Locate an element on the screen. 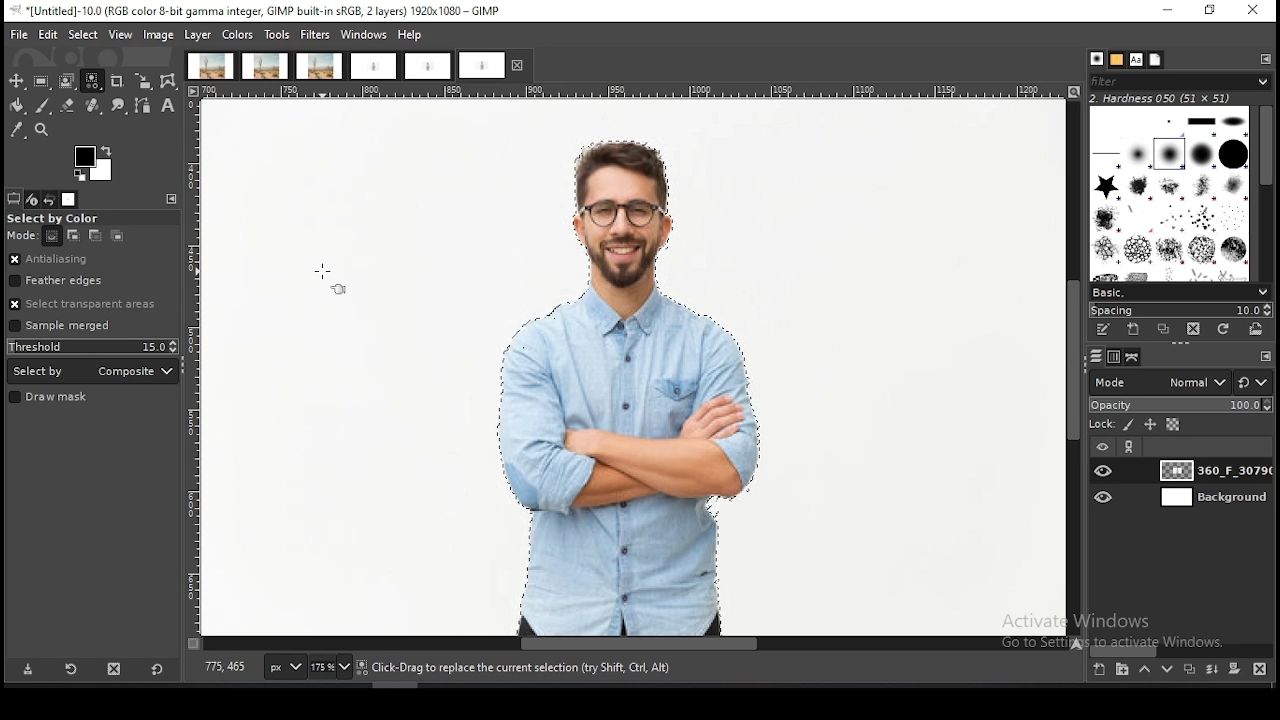  delete layer is located at coordinates (1263, 671).